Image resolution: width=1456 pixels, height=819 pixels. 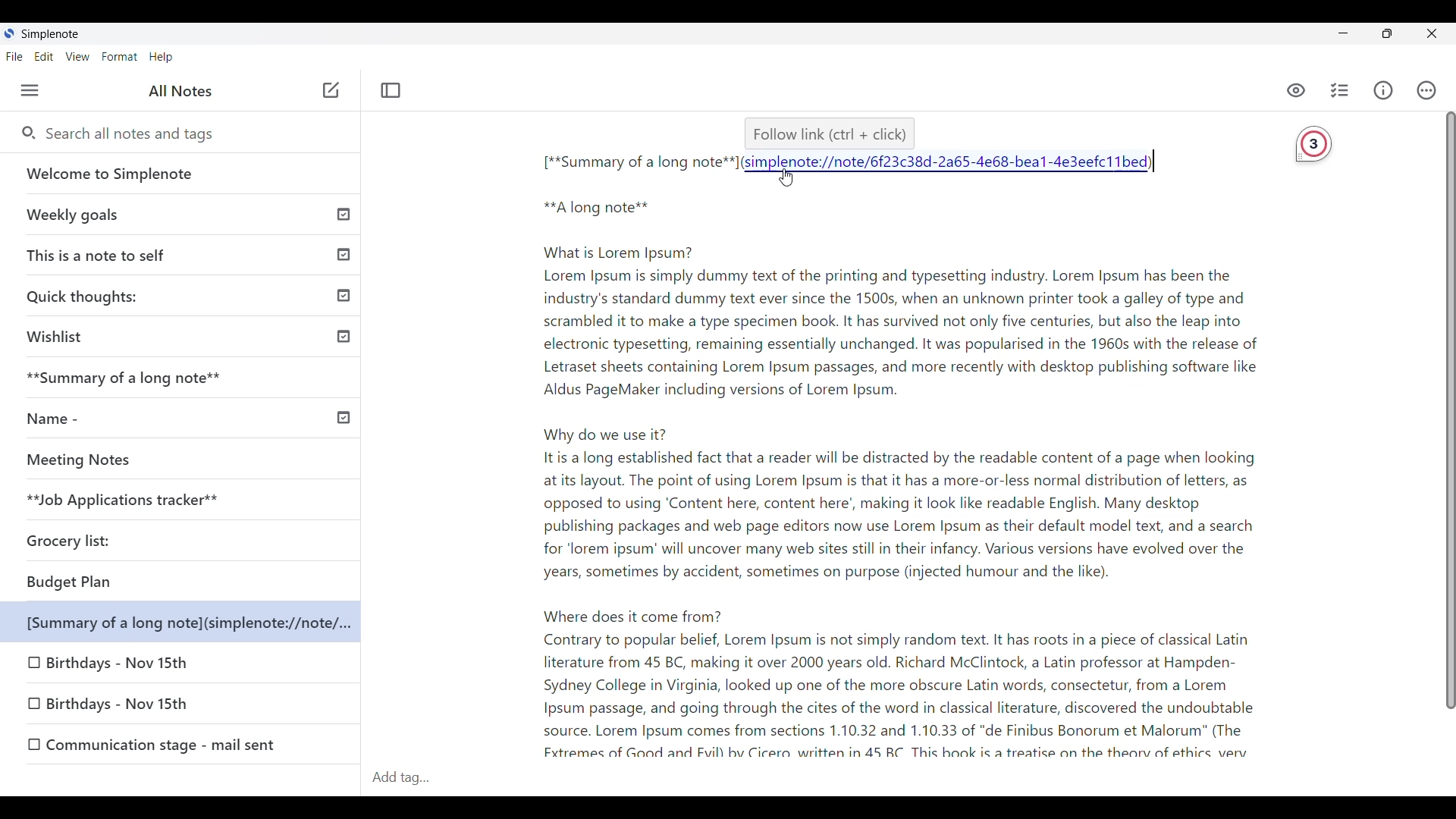 What do you see at coordinates (329, 91) in the screenshot?
I see `Add note` at bounding box center [329, 91].